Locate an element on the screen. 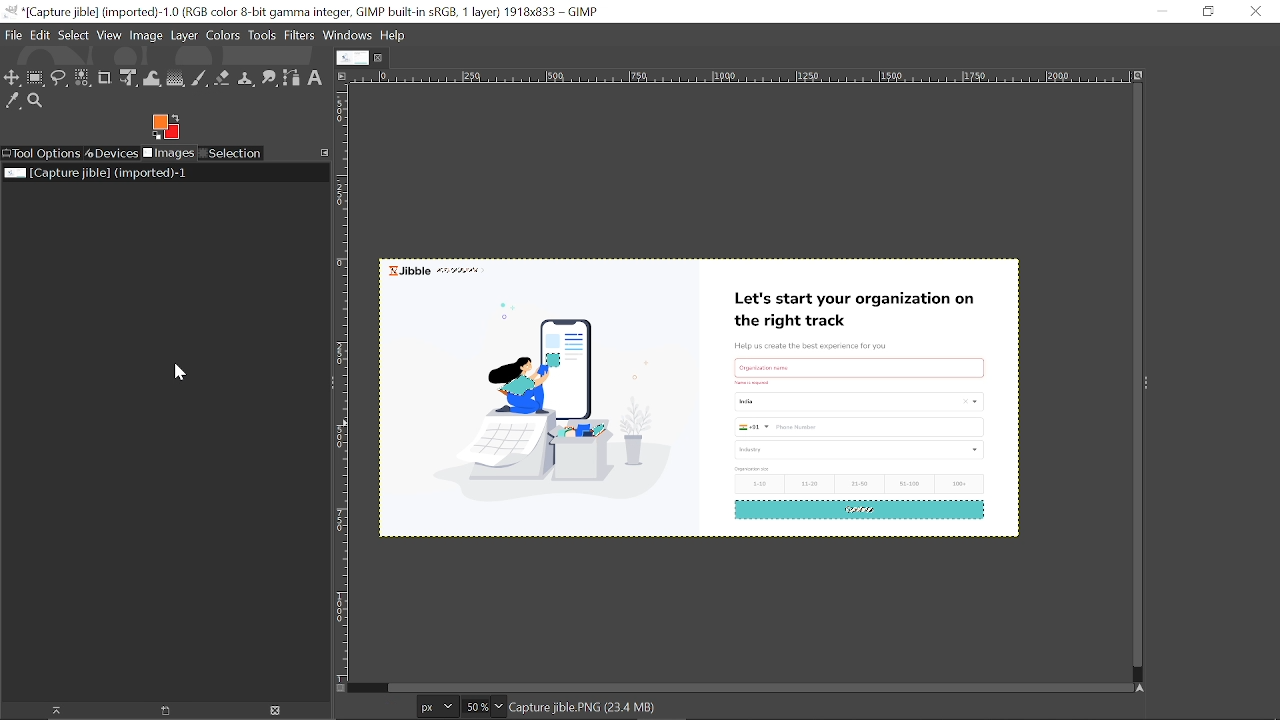 This screenshot has width=1280, height=720. File is located at coordinates (13, 34).